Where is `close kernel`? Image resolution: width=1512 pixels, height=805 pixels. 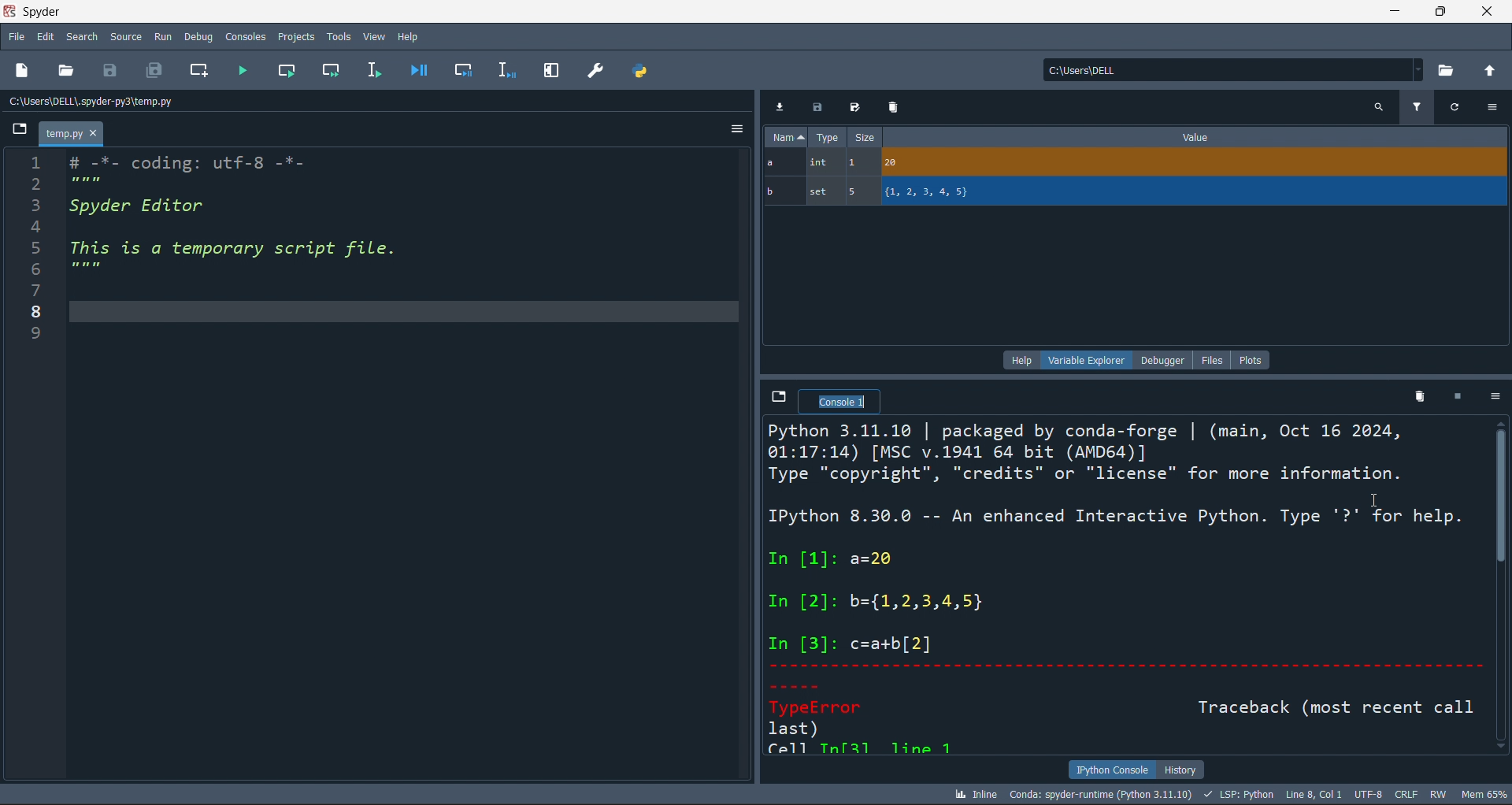
close kernel is located at coordinates (1453, 397).